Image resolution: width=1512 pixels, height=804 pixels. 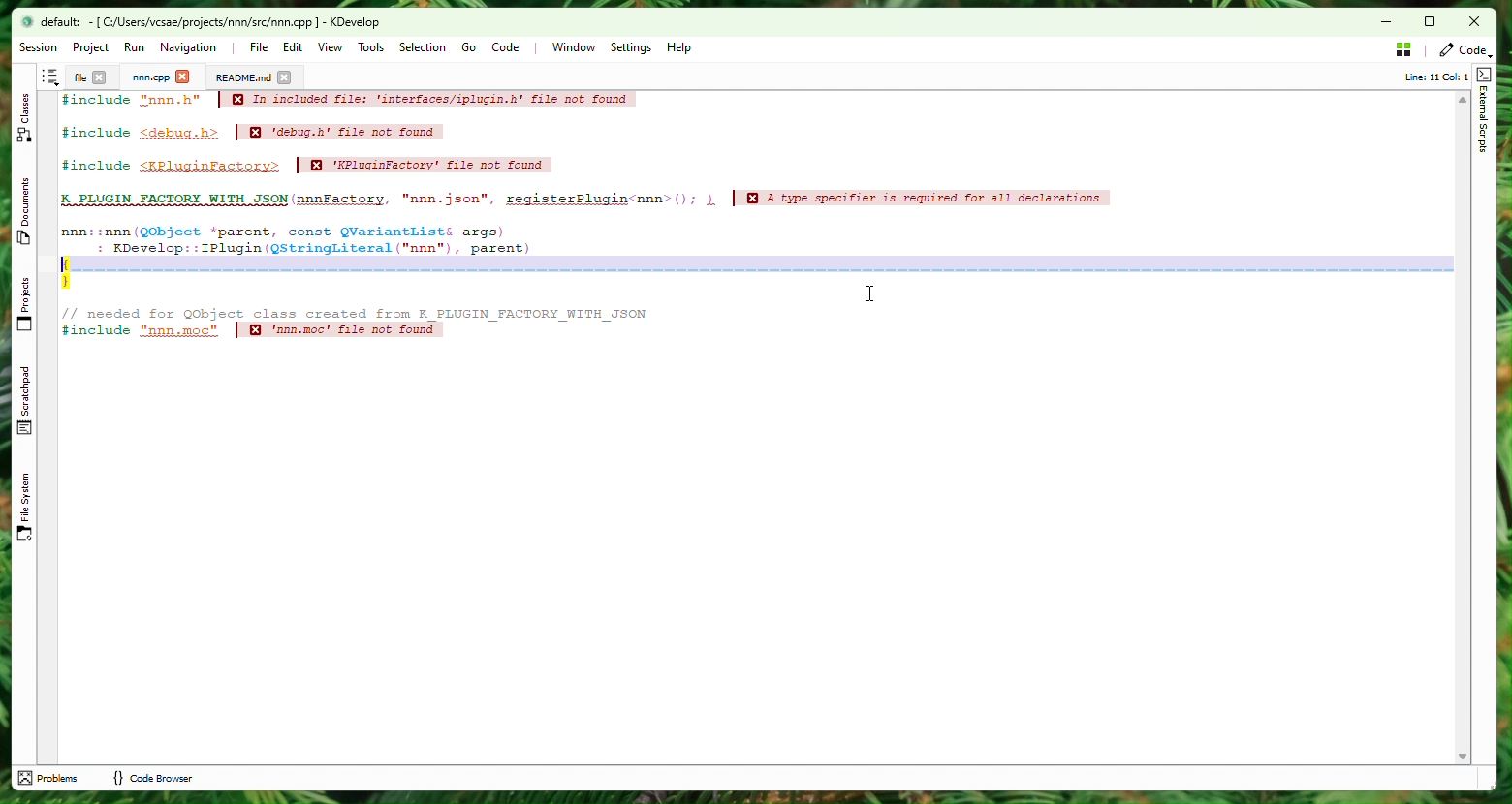 I want to click on Projects, so click(x=27, y=305).